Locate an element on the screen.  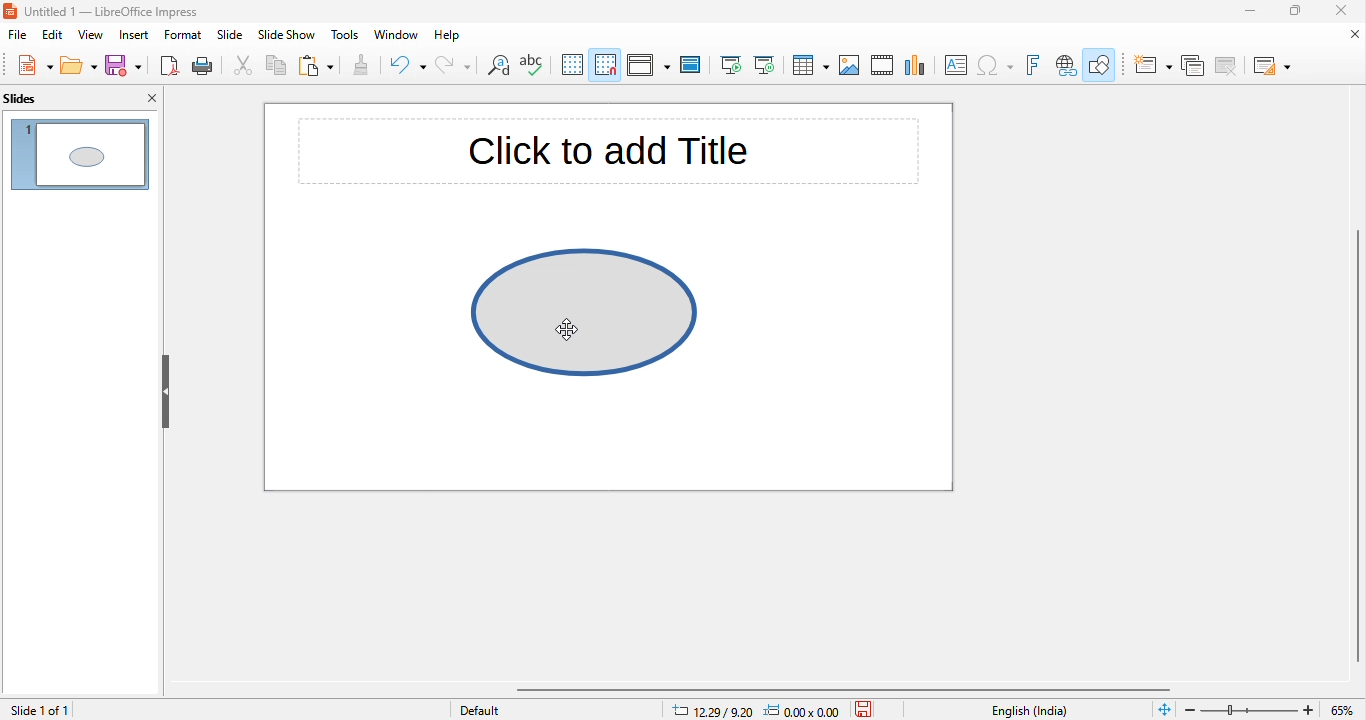
tools is located at coordinates (343, 36).